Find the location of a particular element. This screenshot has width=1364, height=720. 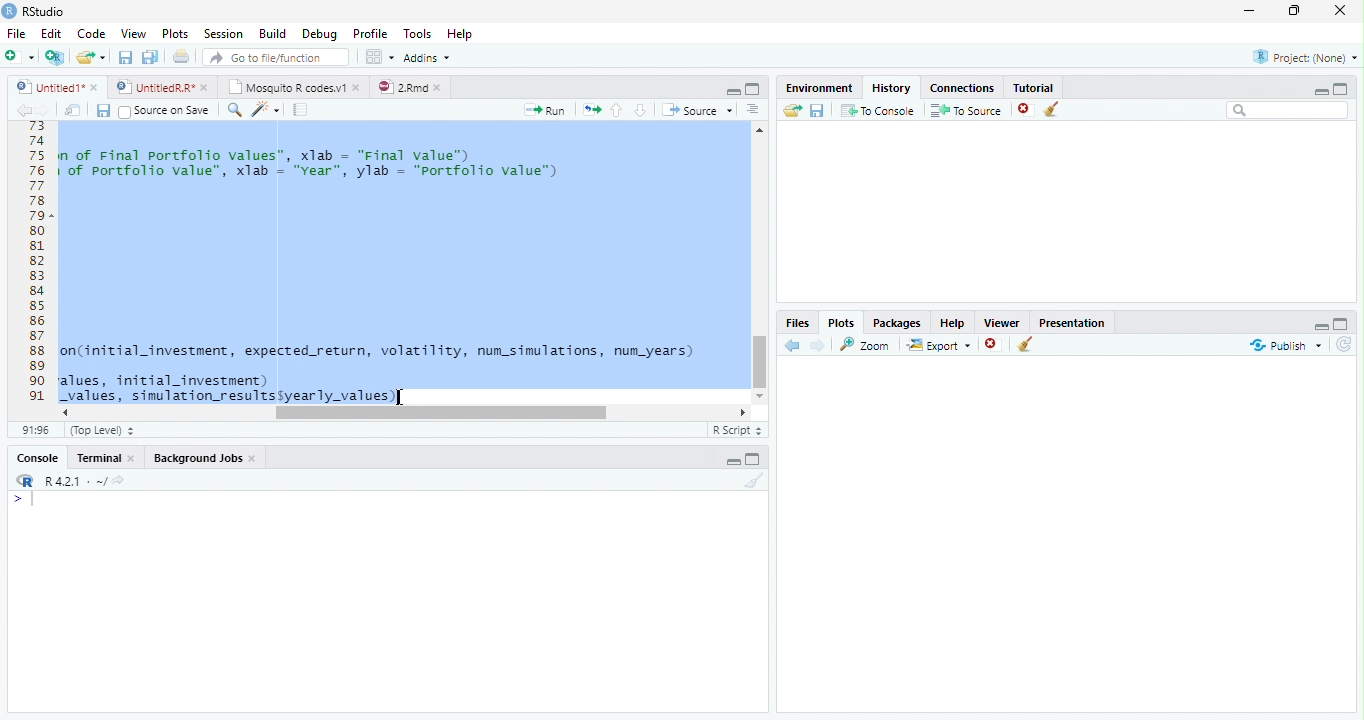

Scroll Right is located at coordinates (743, 411).